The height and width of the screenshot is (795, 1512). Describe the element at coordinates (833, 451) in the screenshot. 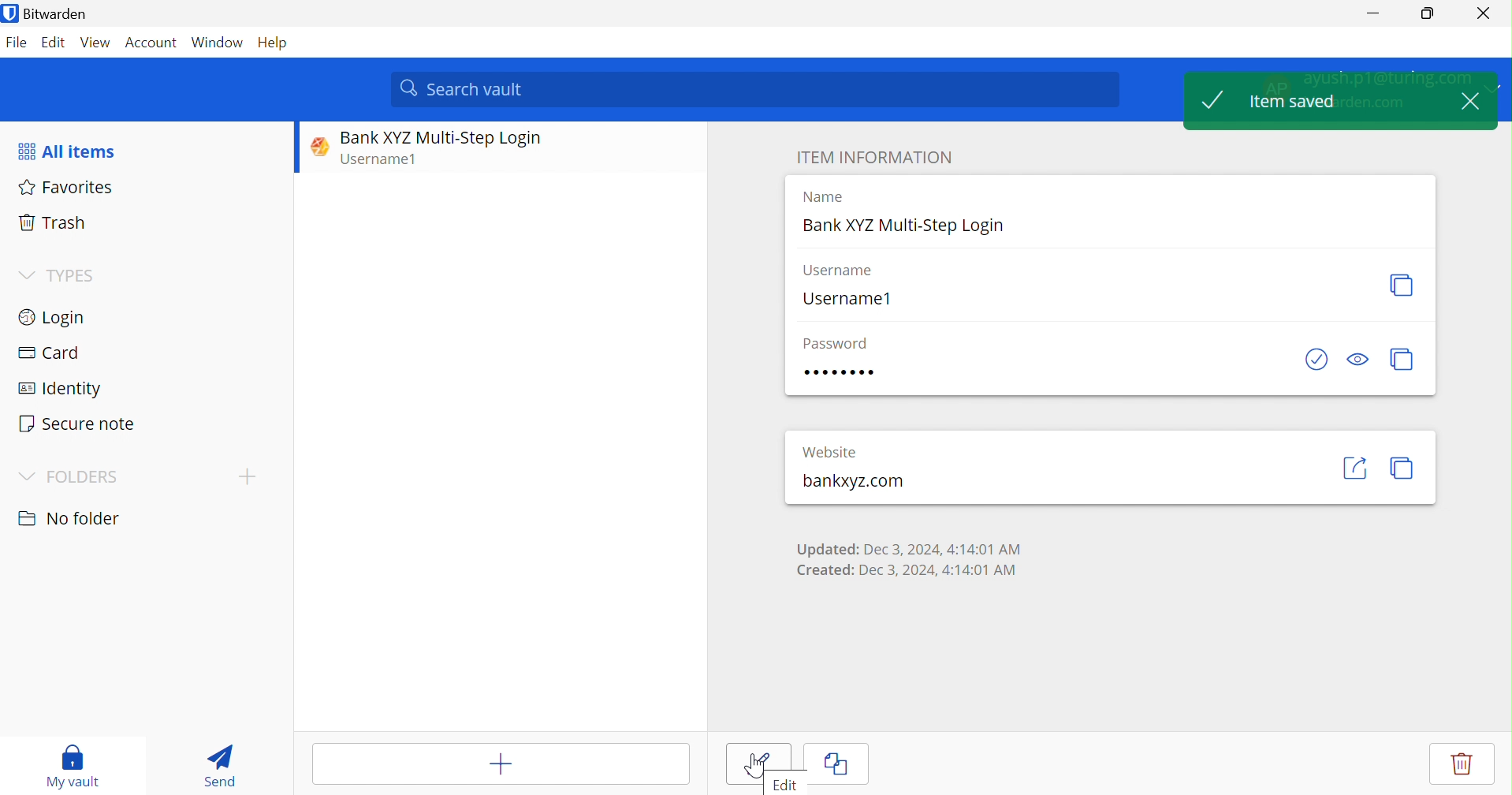

I see `Website` at that location.